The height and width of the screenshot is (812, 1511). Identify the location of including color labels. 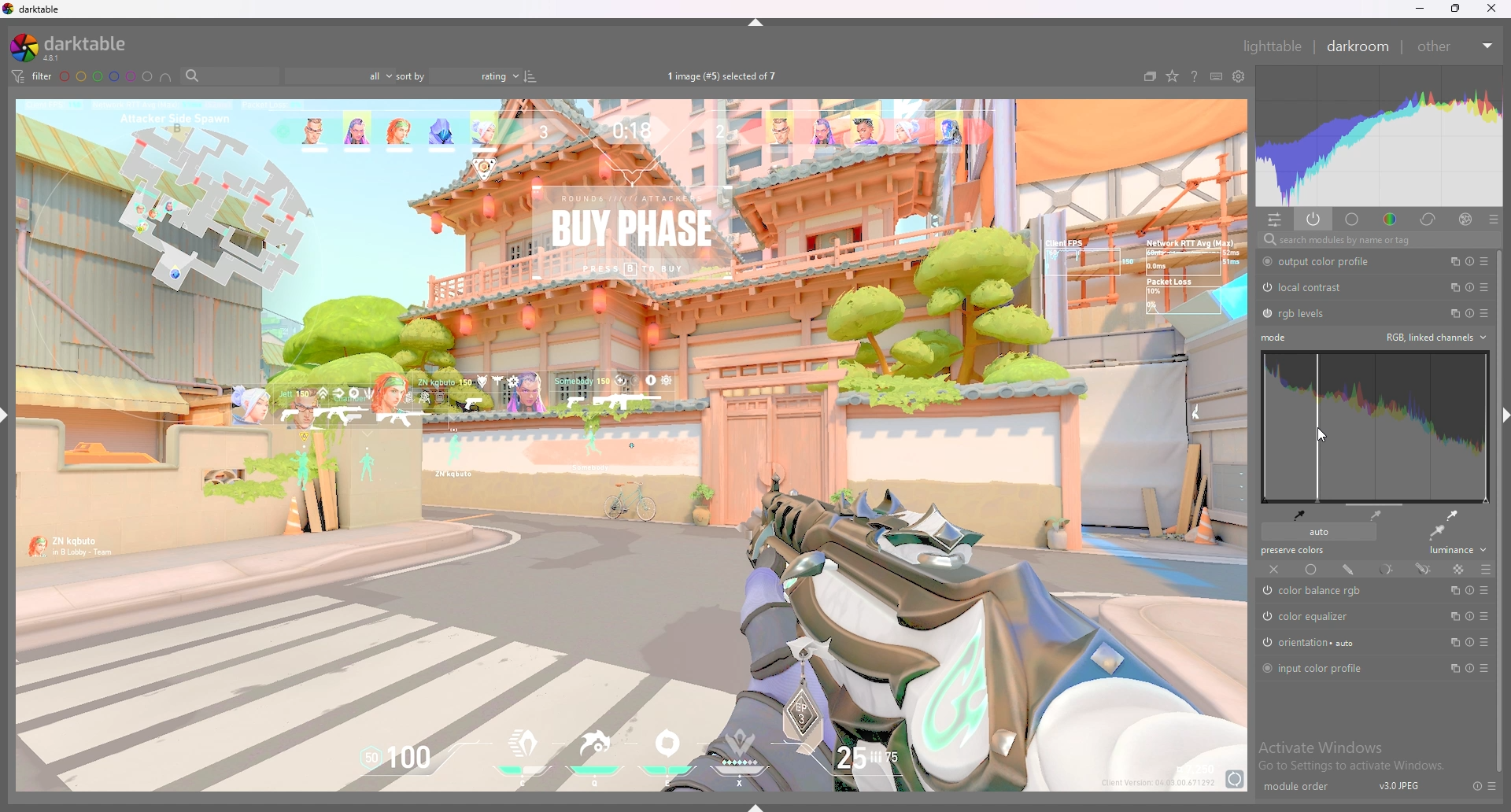
(166, 78).